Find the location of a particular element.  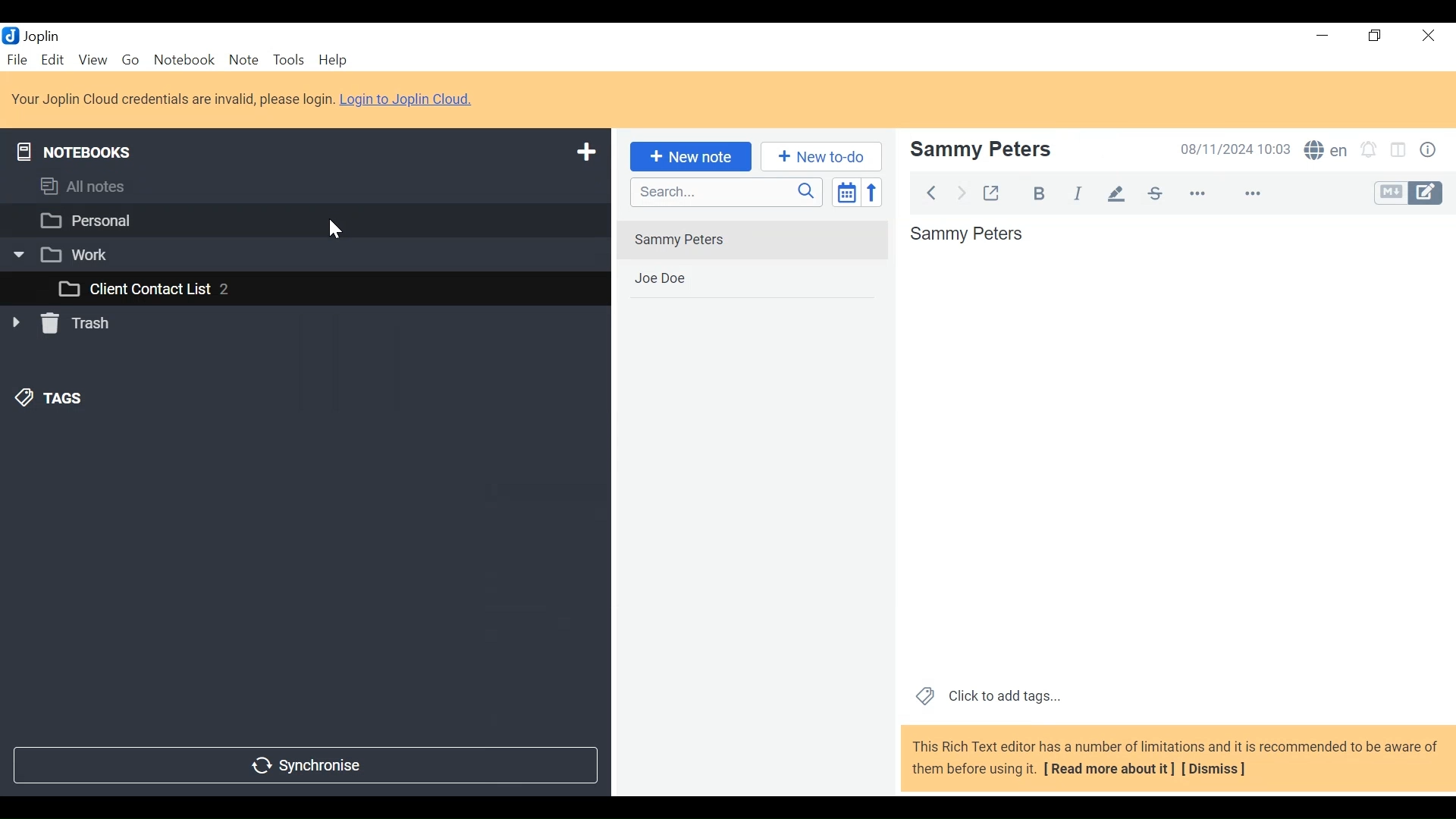

Add new notebook is located at coordinates (586, 154).